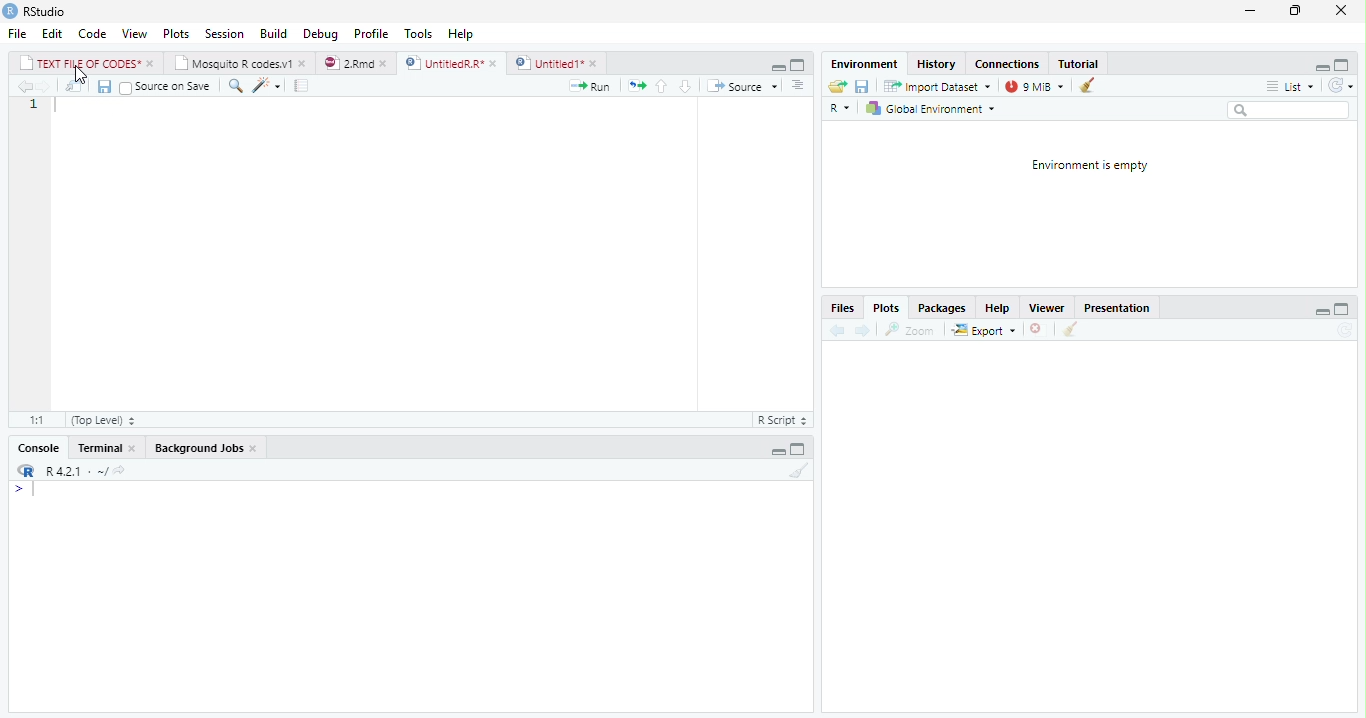 Image resolution: width=1366 pixels, height=718 pixels. What do you see at coordinates (36, 106) in the screenshot?
I see `1` at bounding box center [36, 106].